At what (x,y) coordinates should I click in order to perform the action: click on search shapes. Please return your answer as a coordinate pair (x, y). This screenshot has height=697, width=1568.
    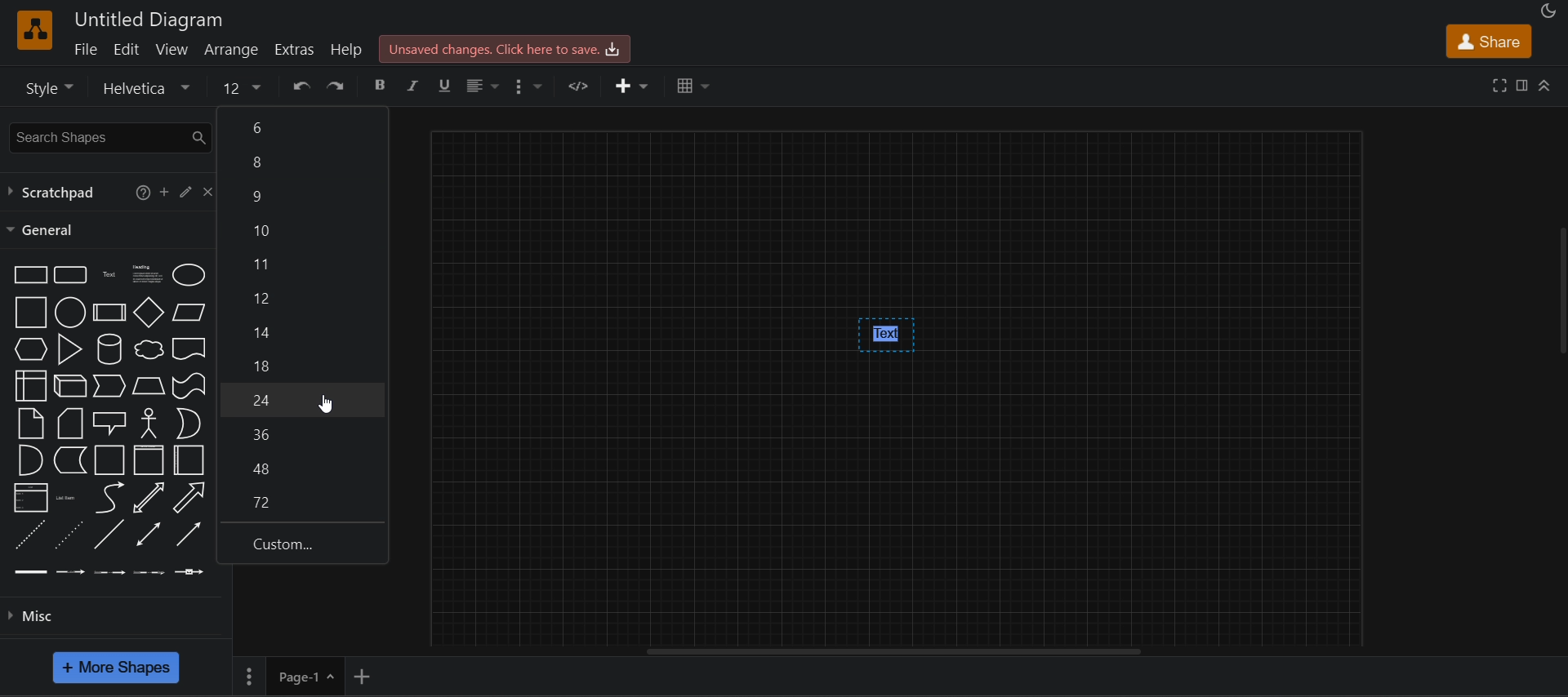
    Looking at the image, I should click on (108, 138).